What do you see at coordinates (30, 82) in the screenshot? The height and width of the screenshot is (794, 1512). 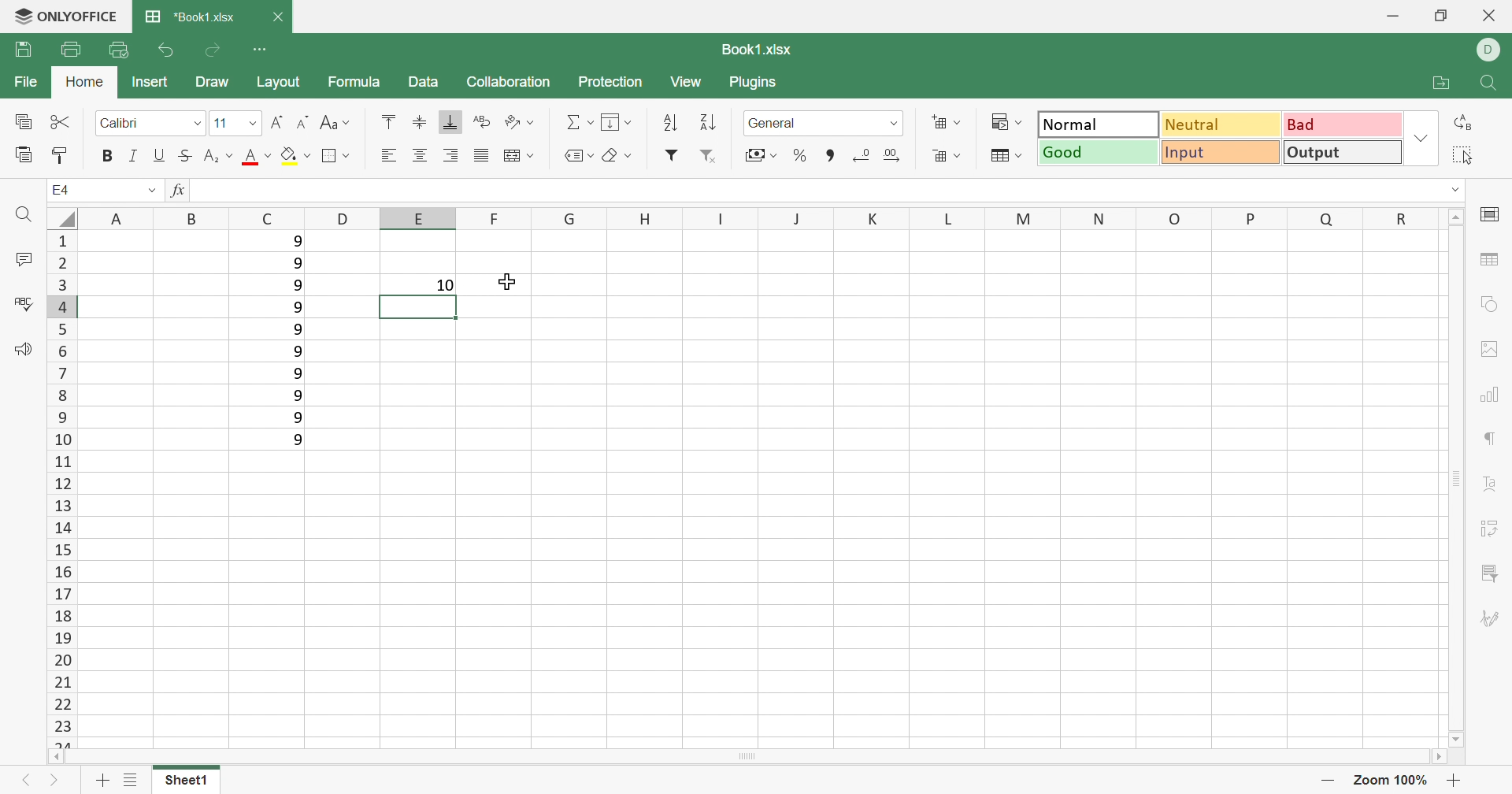 I see `File` at bounding box center [30, 82].